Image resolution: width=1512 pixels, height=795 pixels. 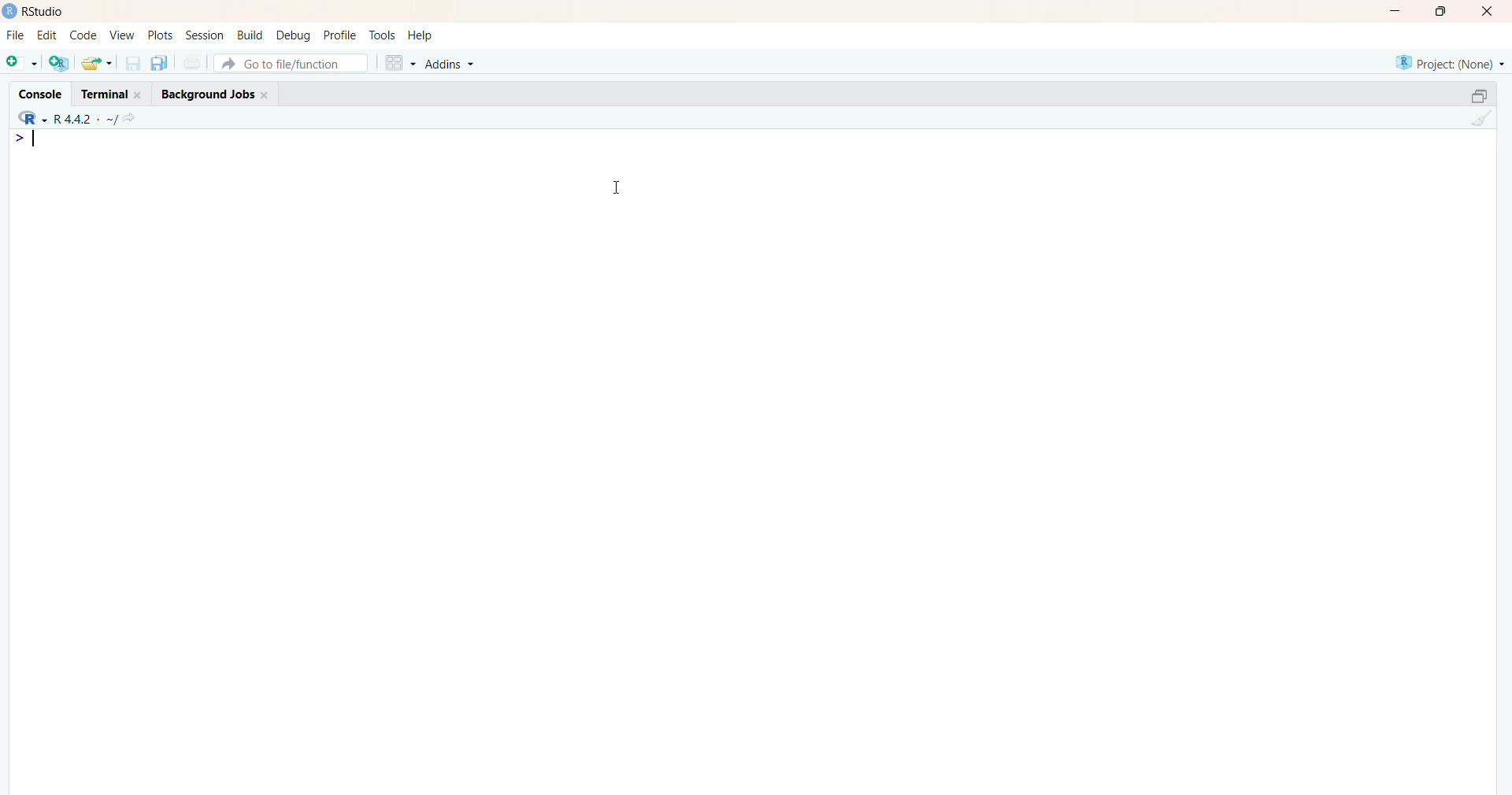 What do you see at coordinates (13, 37) in the screenshot?
I see `File` at bounding box center [13, 37].